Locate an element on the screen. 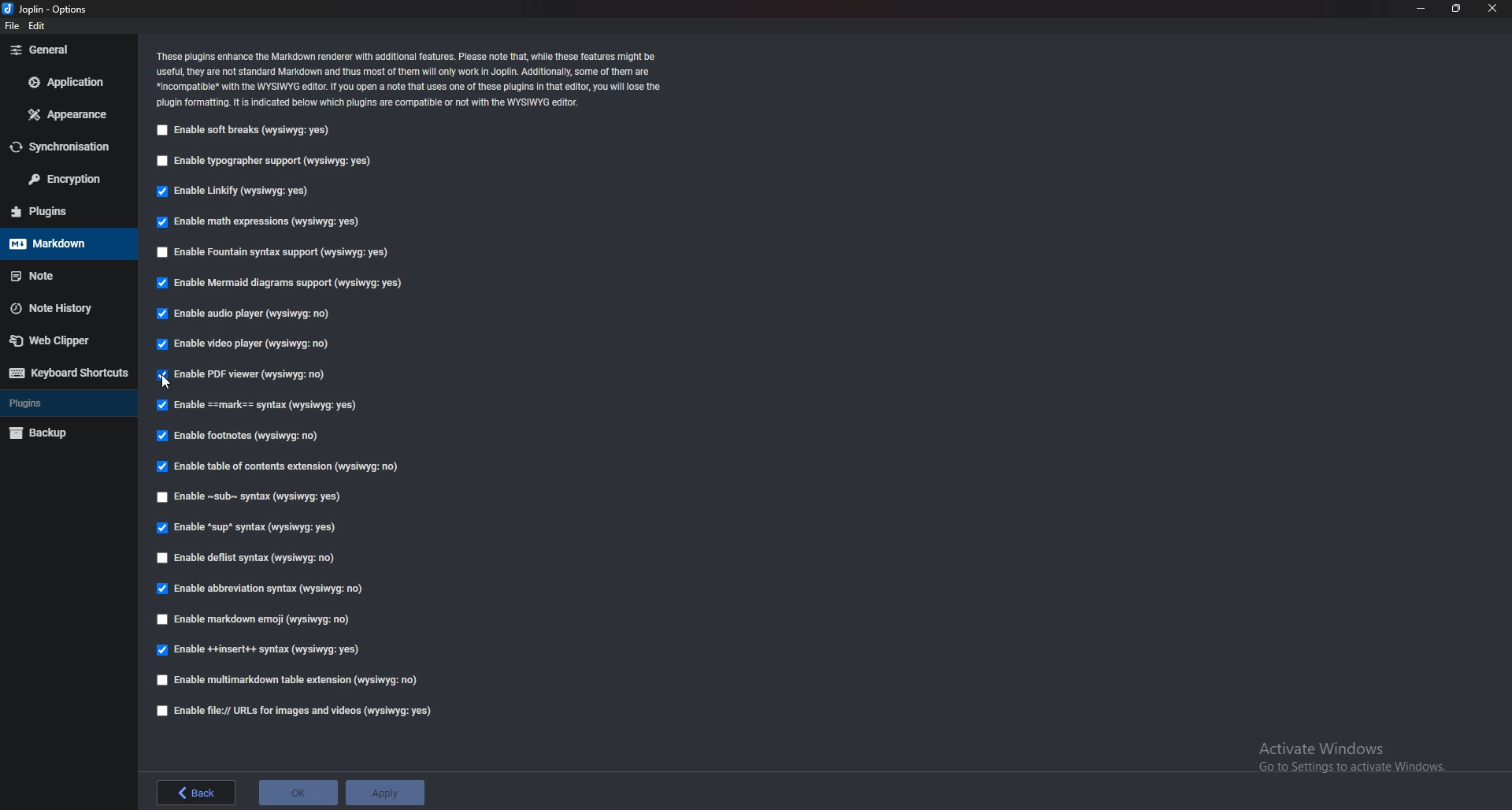 This screenshot has width=1512, height=810. enable sub syntax is located at coordinates (251, 497).